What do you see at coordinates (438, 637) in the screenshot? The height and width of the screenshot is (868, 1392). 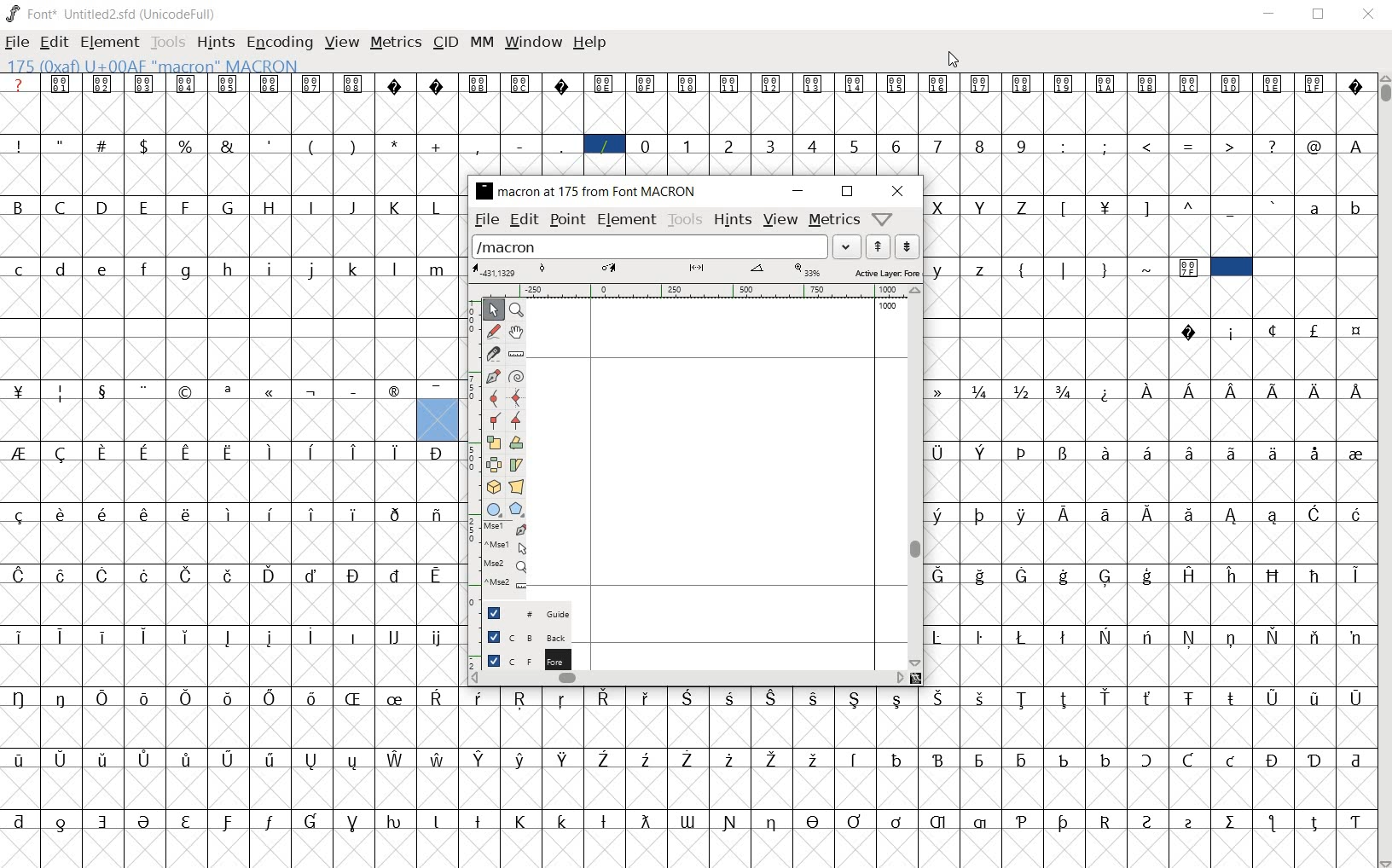 I see `Symbol` at bounding box center [438, 637].